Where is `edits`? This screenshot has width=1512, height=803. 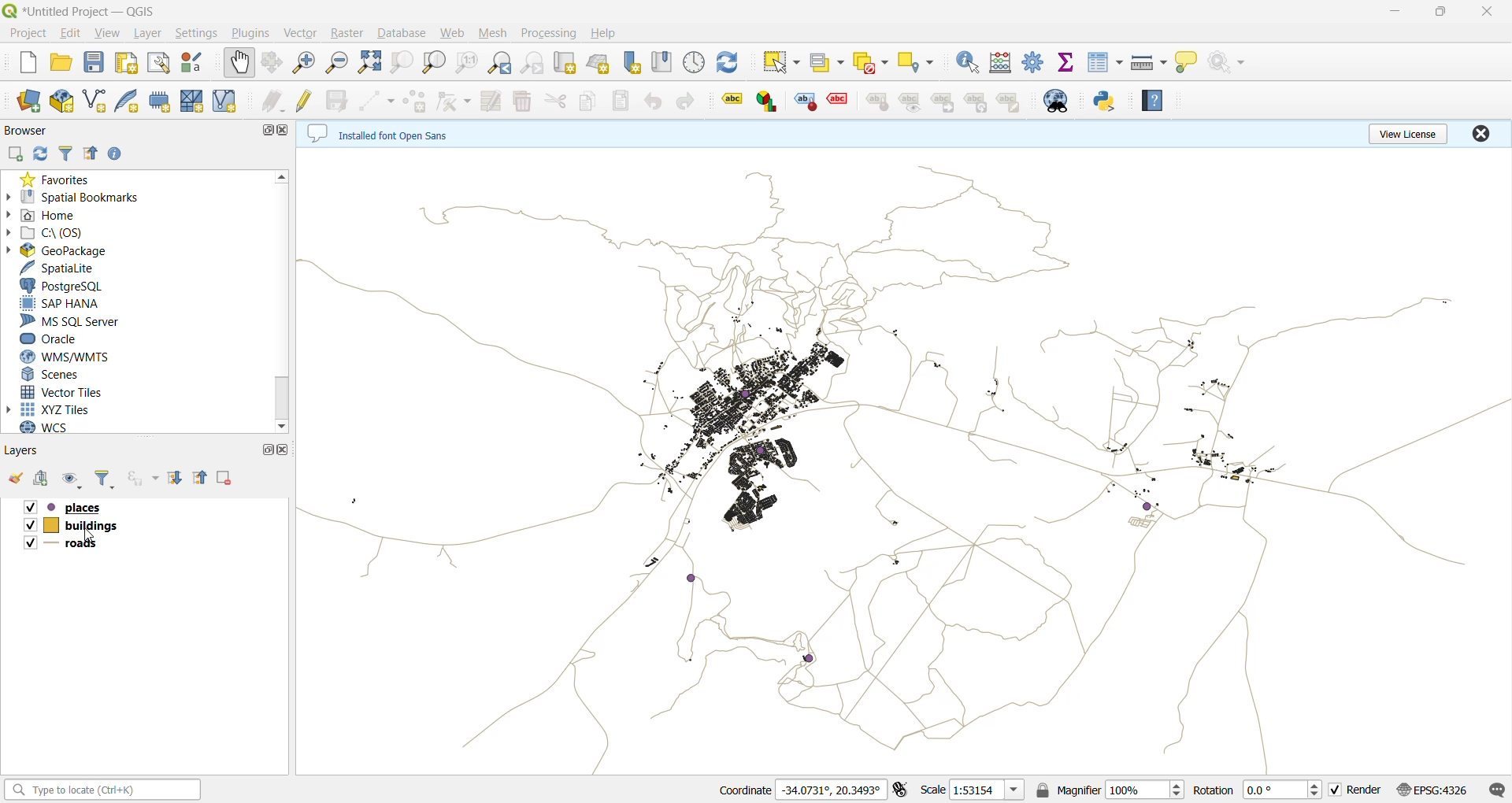 edits is located at coordinates (274, 100).